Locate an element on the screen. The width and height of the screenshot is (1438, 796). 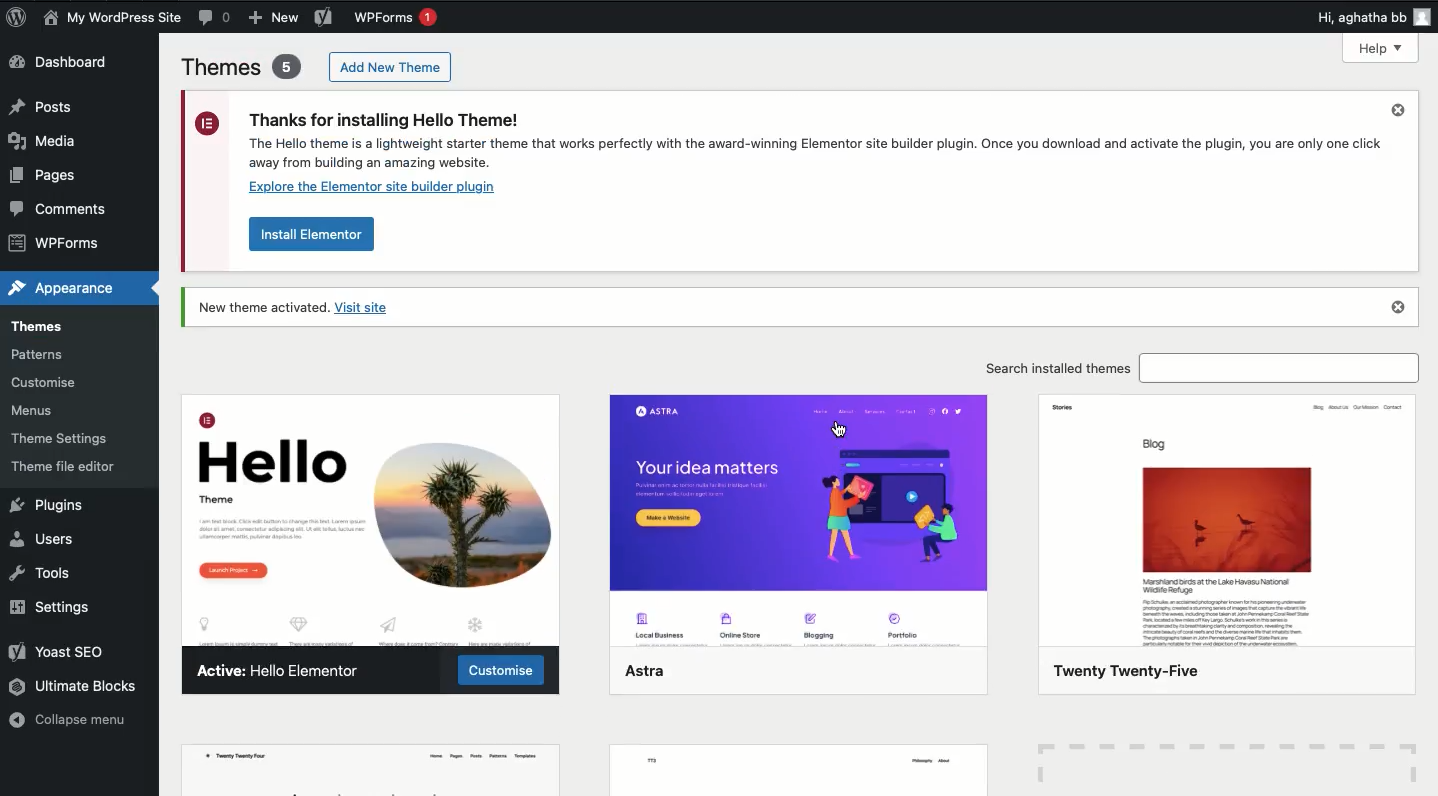
Dashboard is located at coordinates (63, 62).